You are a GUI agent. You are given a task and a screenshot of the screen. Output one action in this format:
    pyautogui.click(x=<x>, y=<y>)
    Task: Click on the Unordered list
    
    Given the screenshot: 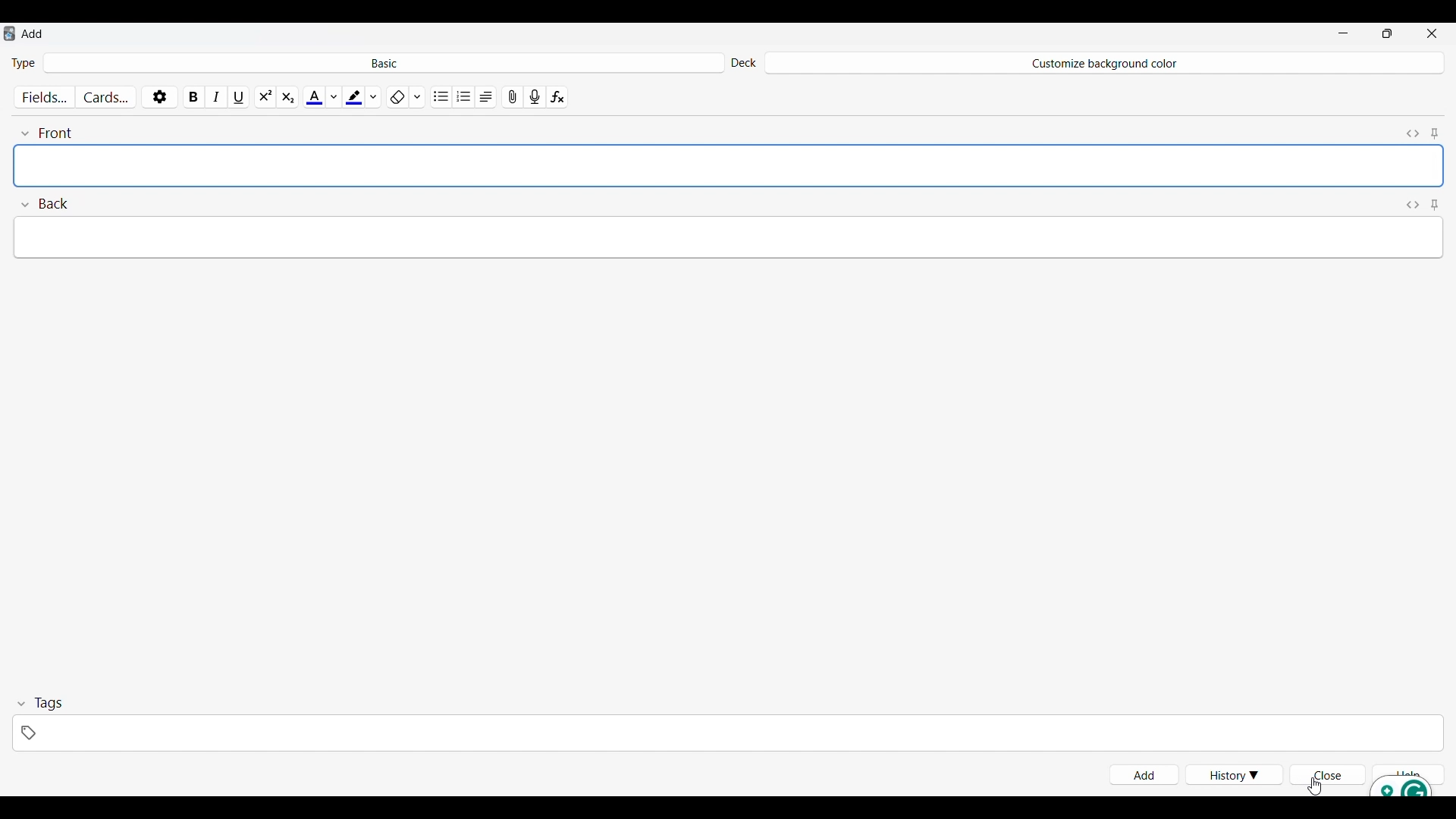 What is the action you would take?
    pyautogui.click(x=442, y=95)
    